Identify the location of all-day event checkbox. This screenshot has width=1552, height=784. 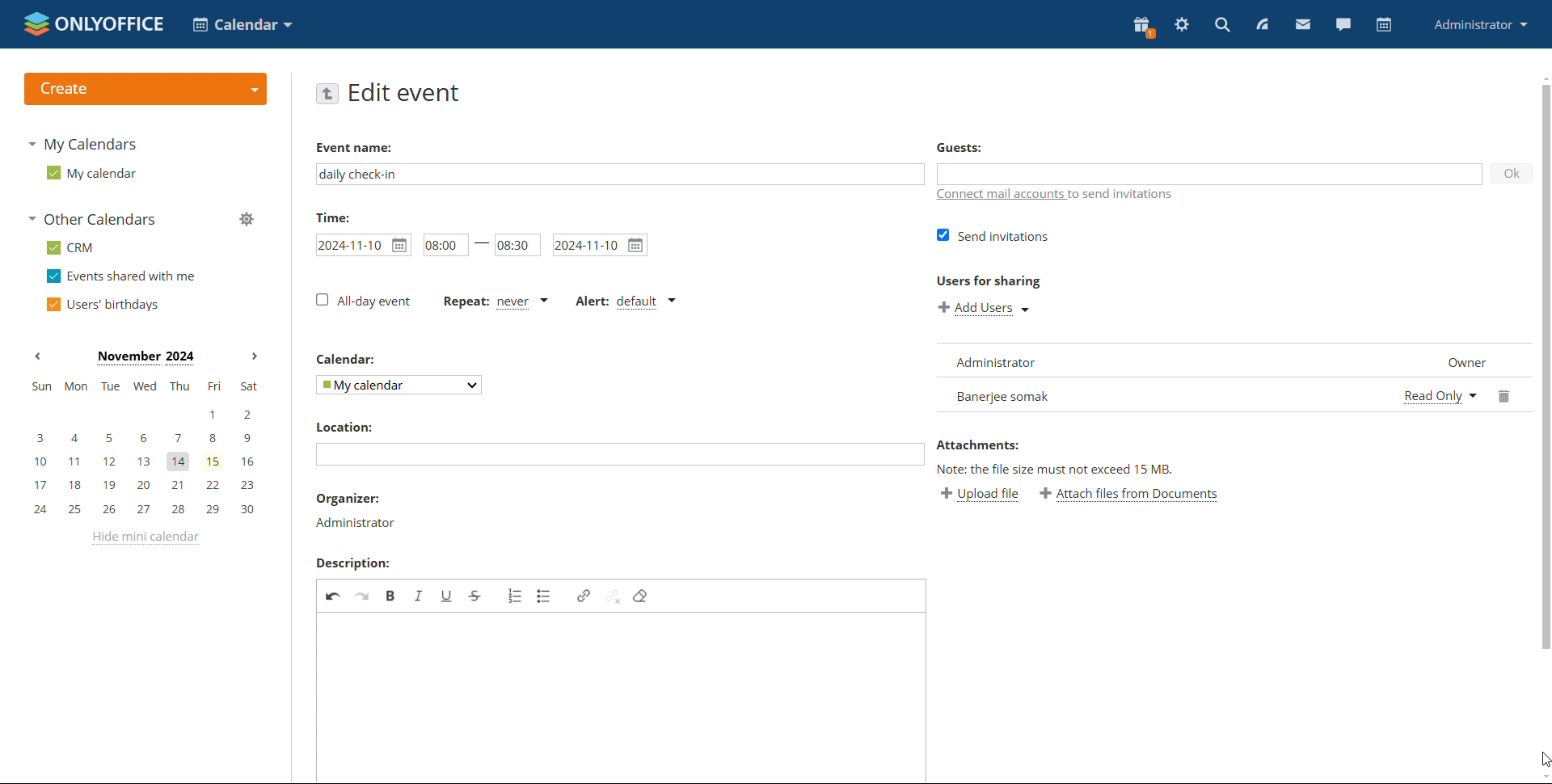
(363, 301).